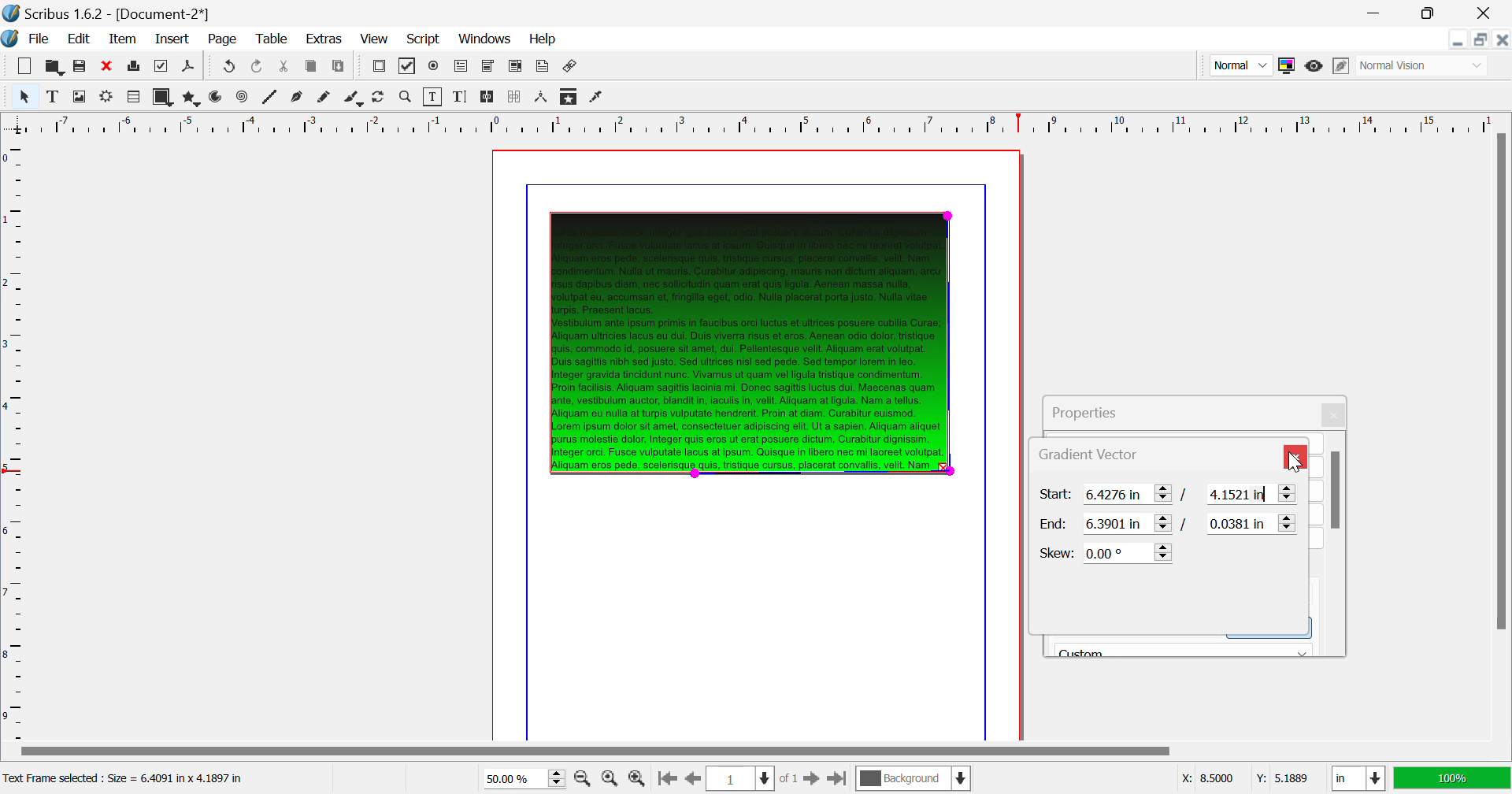 This screenshot has width=1512, height=794. Describe the element at coordinates (747, 343) in the screenshot. I see `Gradient Effect Changed` at that location.